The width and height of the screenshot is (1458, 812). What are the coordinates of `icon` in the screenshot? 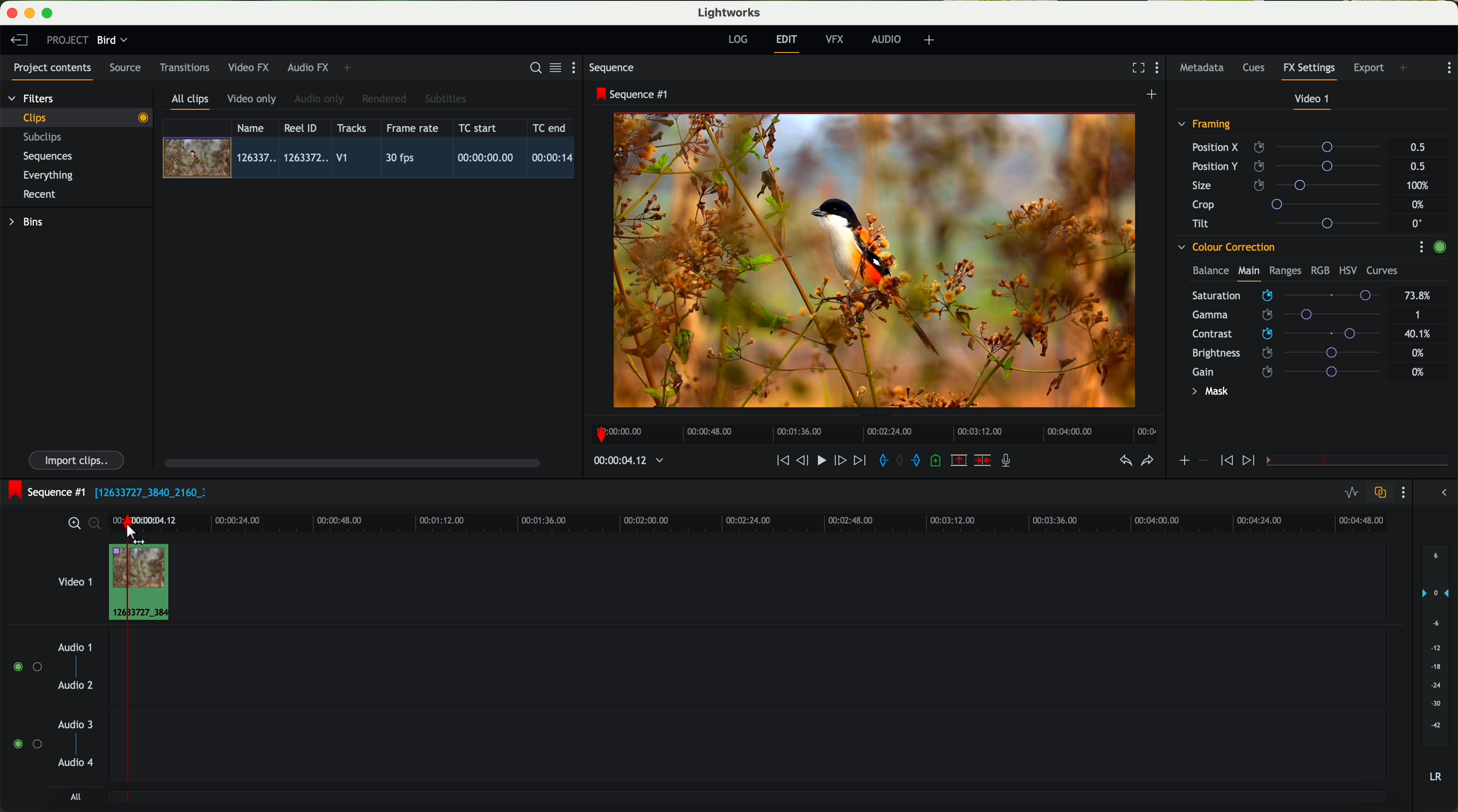 It's located at (1225, 461).